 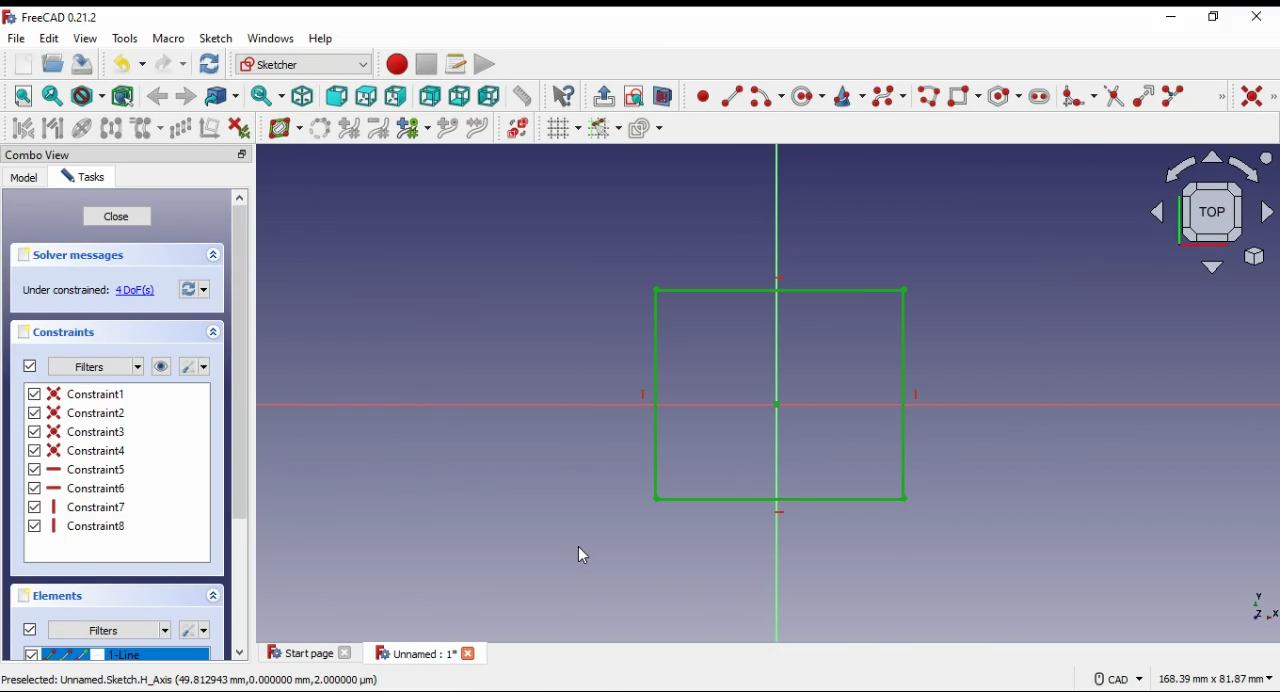 What do you see at coordinates (477, 128) in the screenshot?
I see `join curves` at bounding box center [477, 128].